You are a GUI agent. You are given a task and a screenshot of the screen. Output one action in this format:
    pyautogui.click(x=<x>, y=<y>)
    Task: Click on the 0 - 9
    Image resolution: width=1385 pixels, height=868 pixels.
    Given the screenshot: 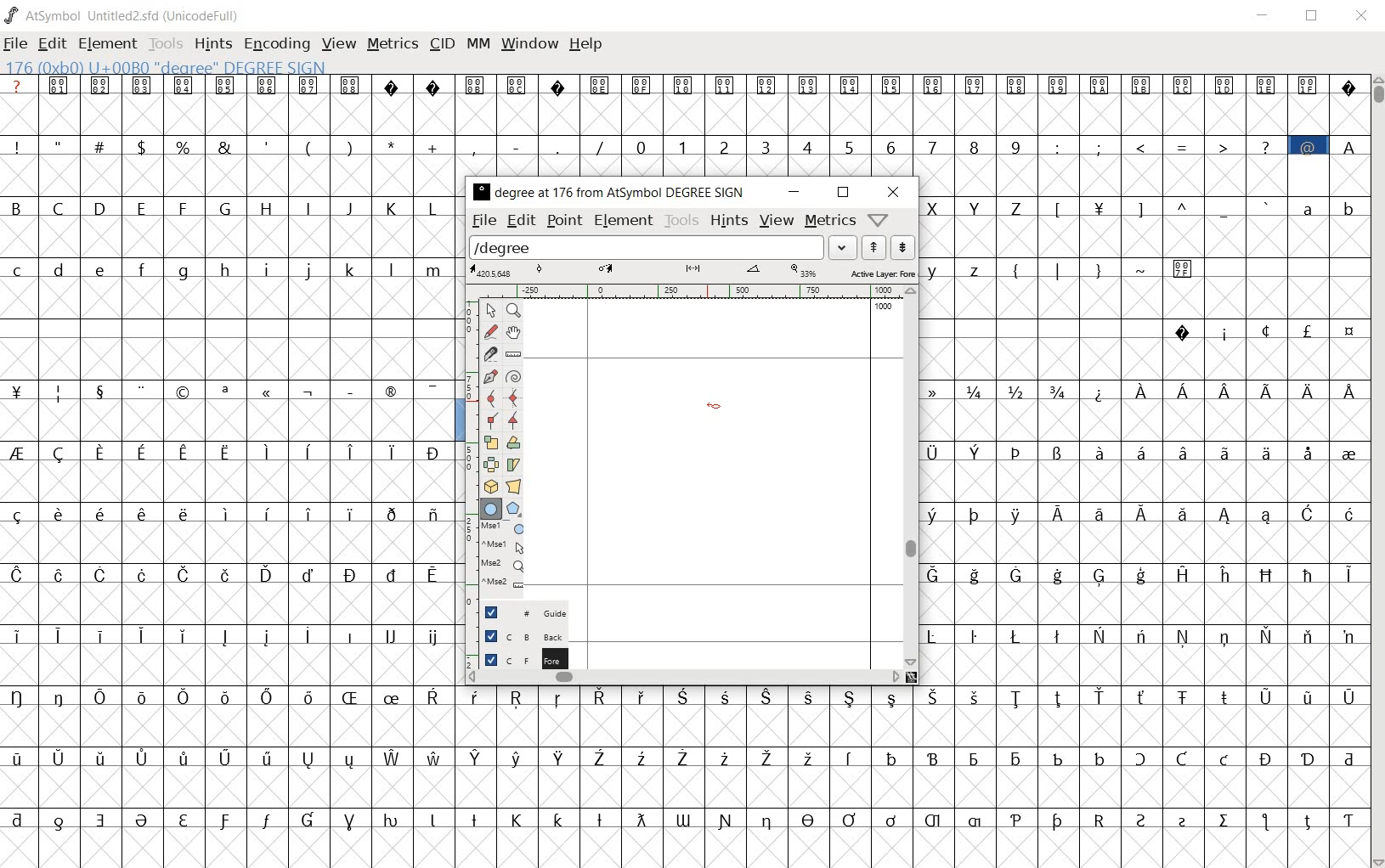 What is the action you would take?
    pyautogui.click(x=825, y=145)
    